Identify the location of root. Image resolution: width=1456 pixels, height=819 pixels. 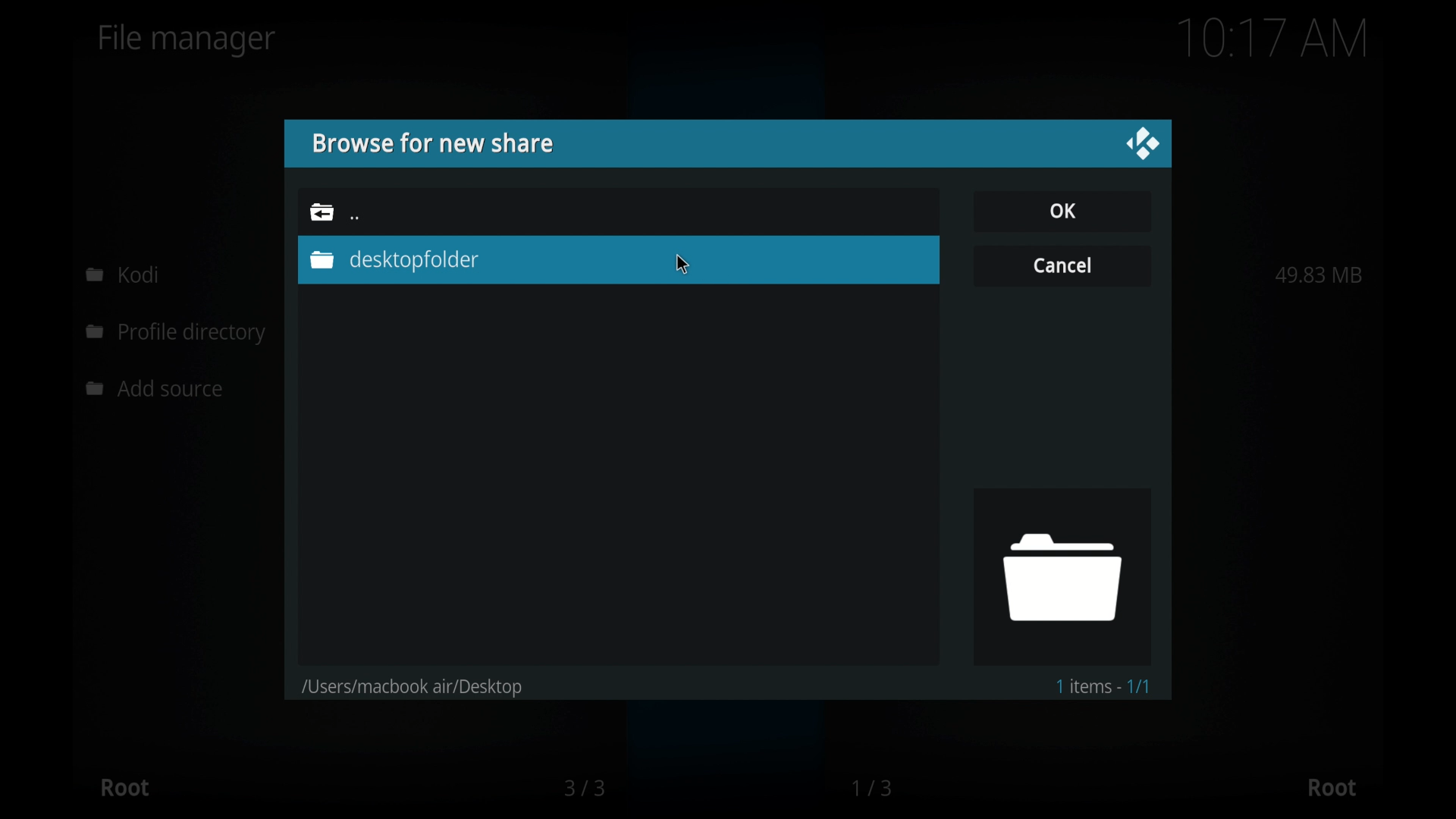
(1332, 788).